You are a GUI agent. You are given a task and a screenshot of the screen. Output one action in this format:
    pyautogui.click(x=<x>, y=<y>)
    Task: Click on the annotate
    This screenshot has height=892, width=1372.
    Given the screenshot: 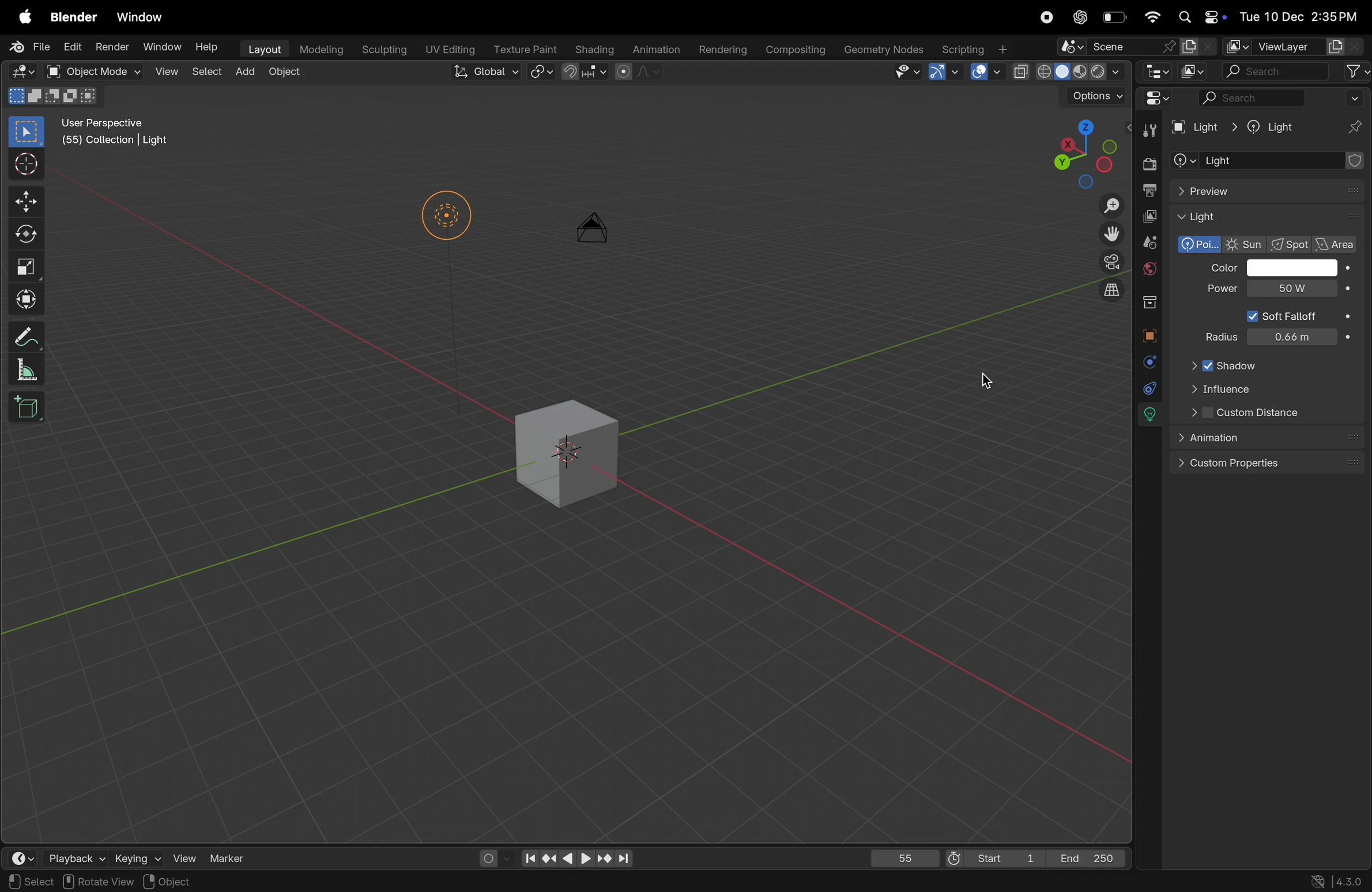 What is the action you would take?
    pyautogui.click(x=29, y=335)
    